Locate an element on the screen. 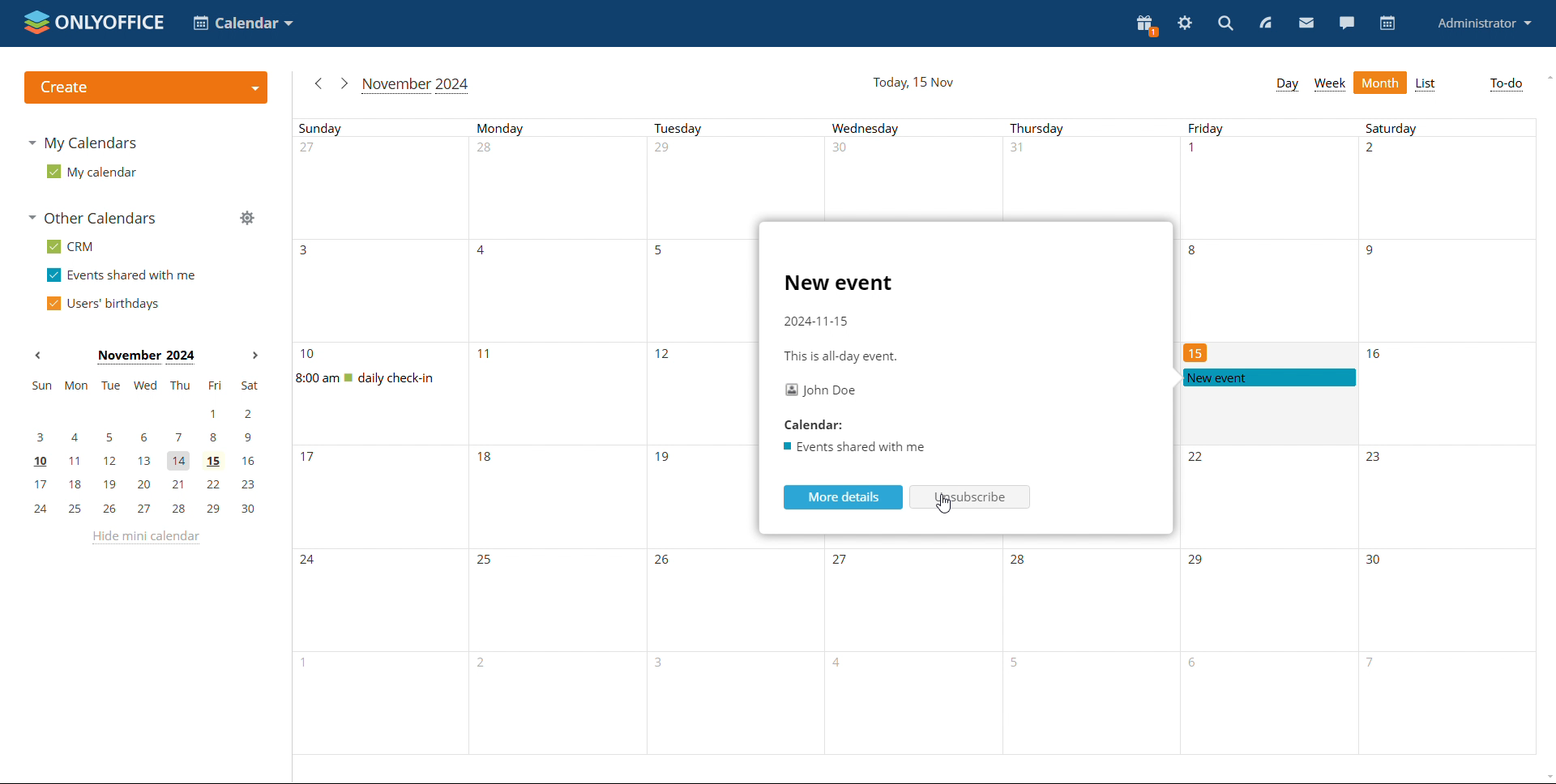 The image size is (1556, 784). hide mini calendar is located at coordinates (145, 539).